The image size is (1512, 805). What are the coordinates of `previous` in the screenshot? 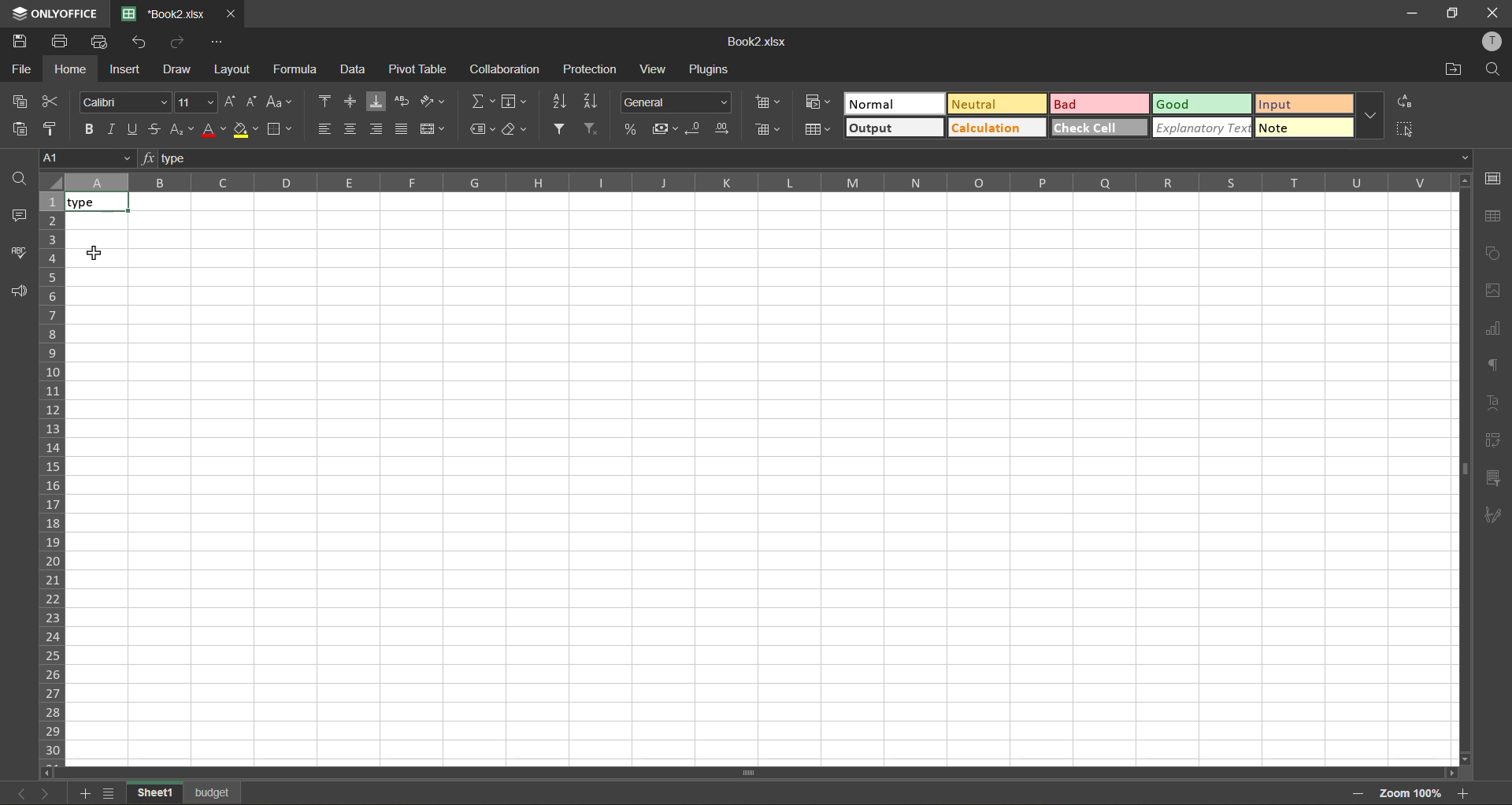 It's located at (13, 791).